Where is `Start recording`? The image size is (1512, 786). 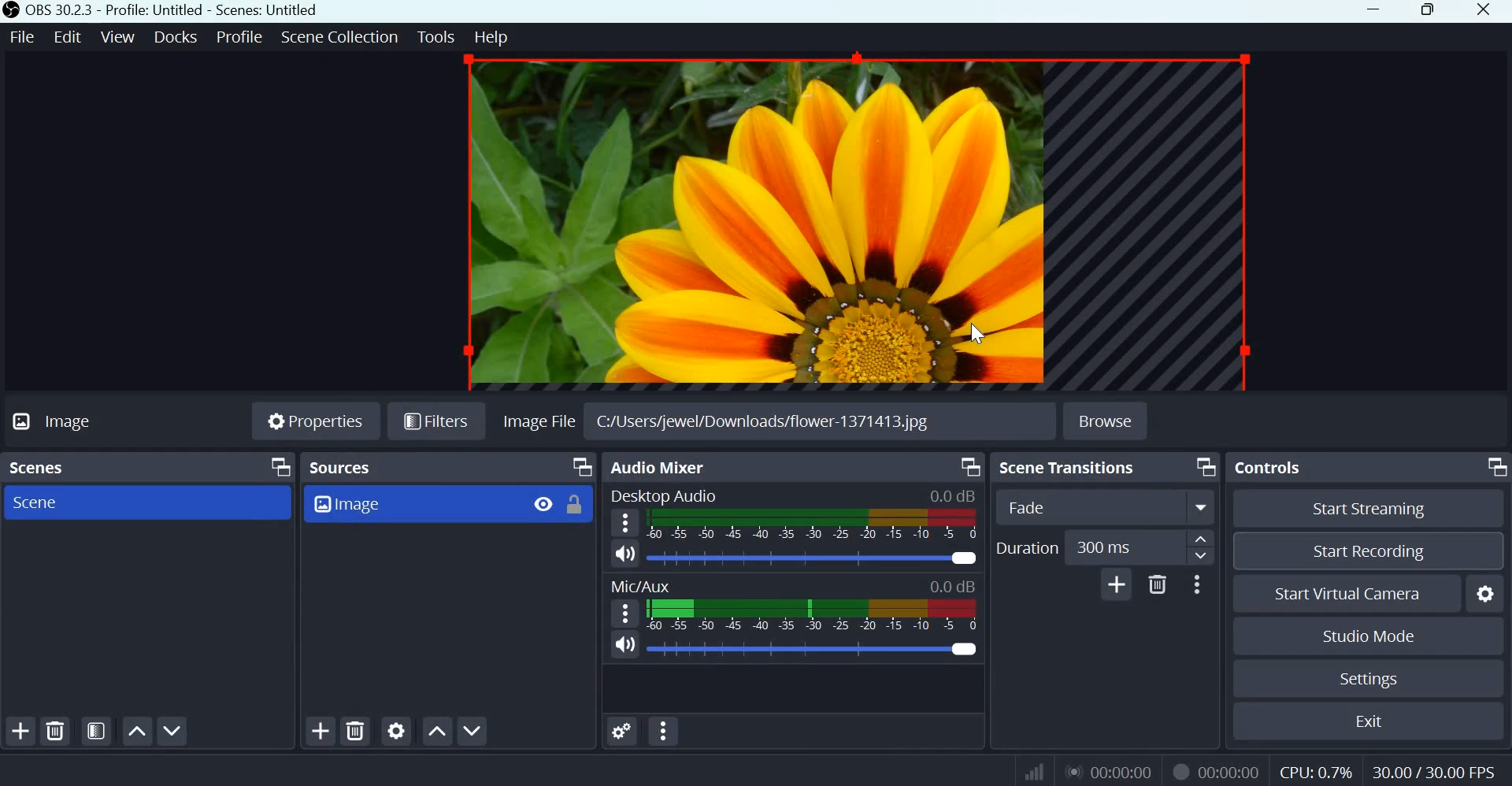
Start recording is located at coordinates (1369, 549).